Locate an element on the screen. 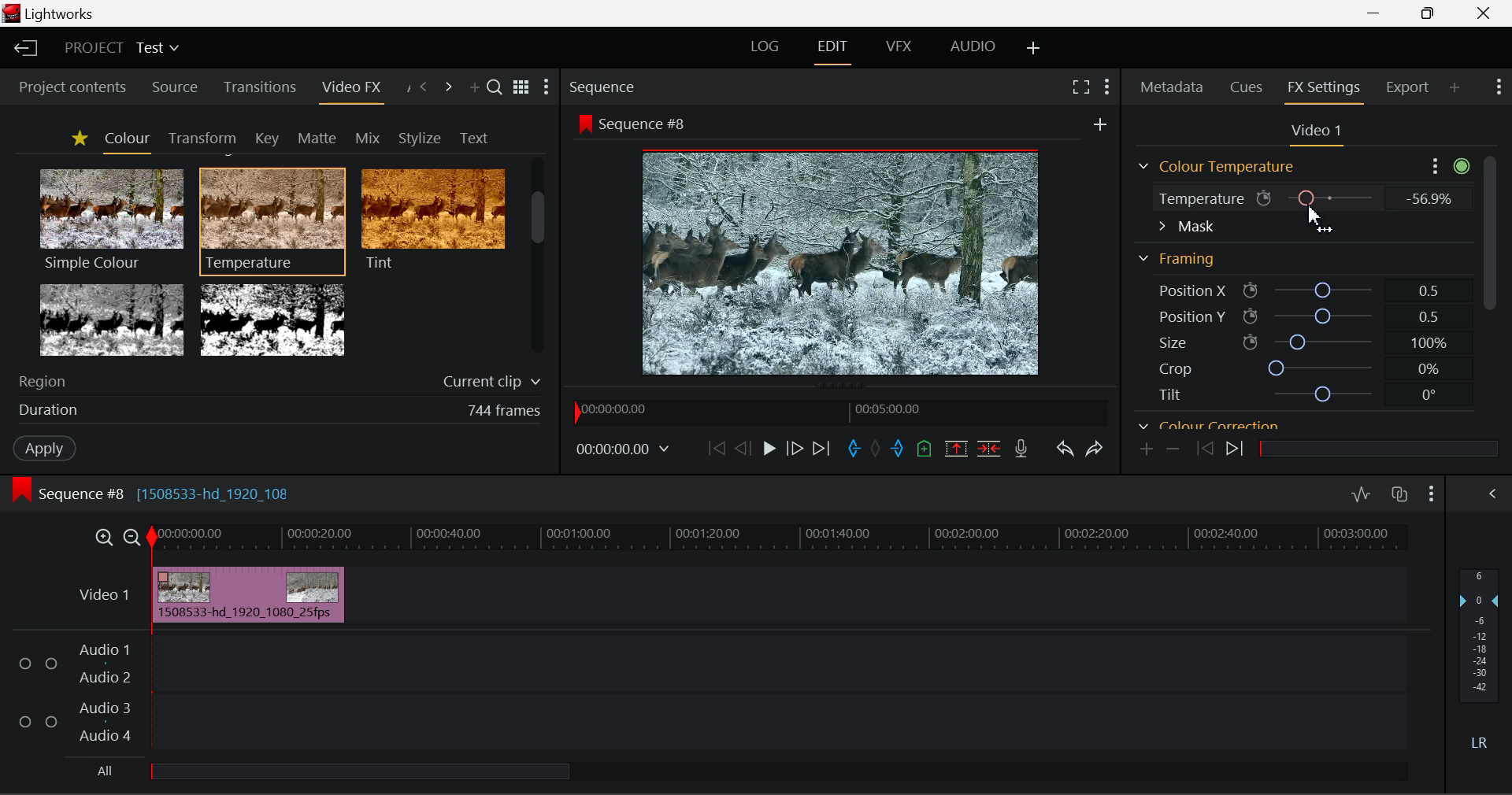 This screenshot has width=1512, height=795. 00:05:00.00 is located at coordinates (891, 409).